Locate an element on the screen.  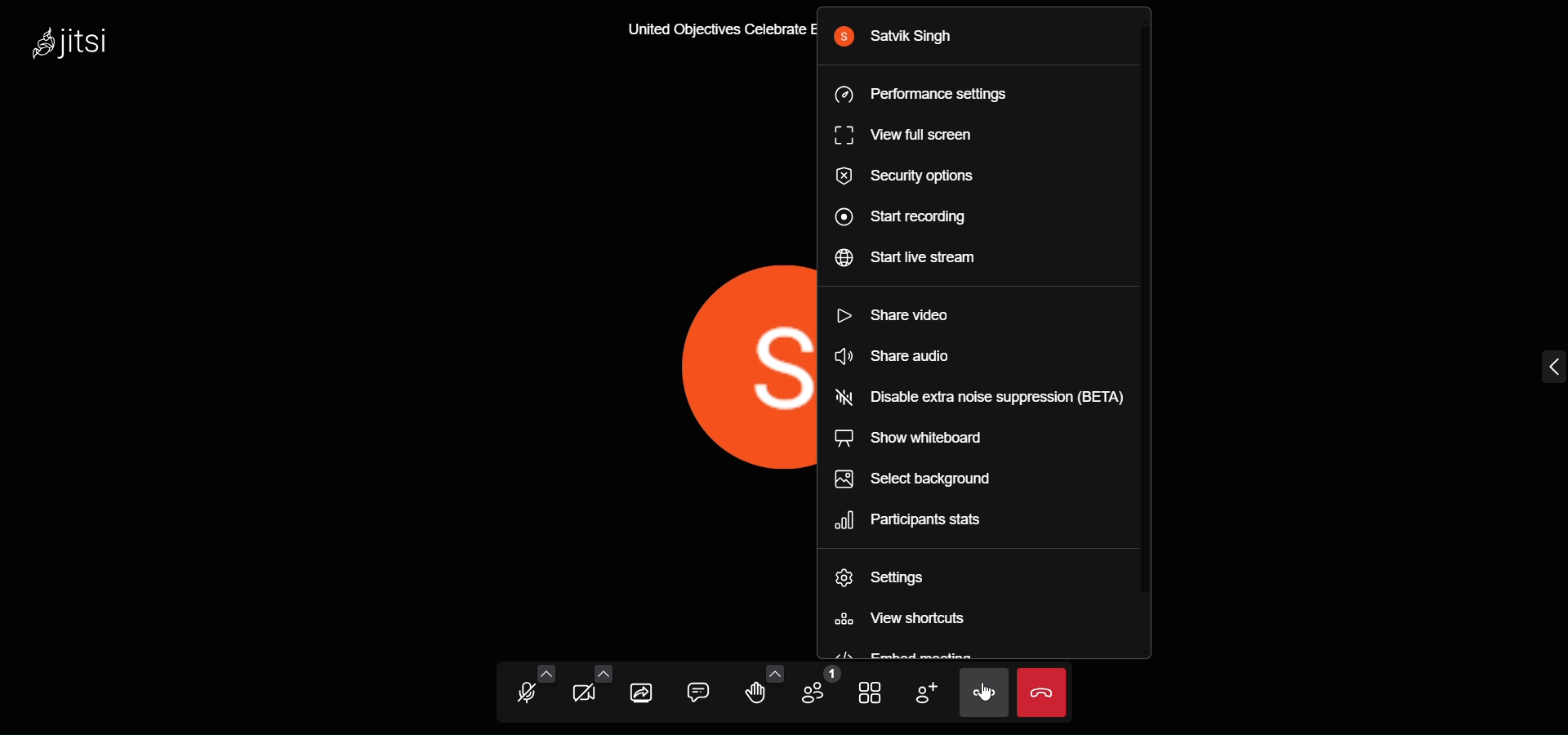
jitsi is located at coordinates (72, 42).